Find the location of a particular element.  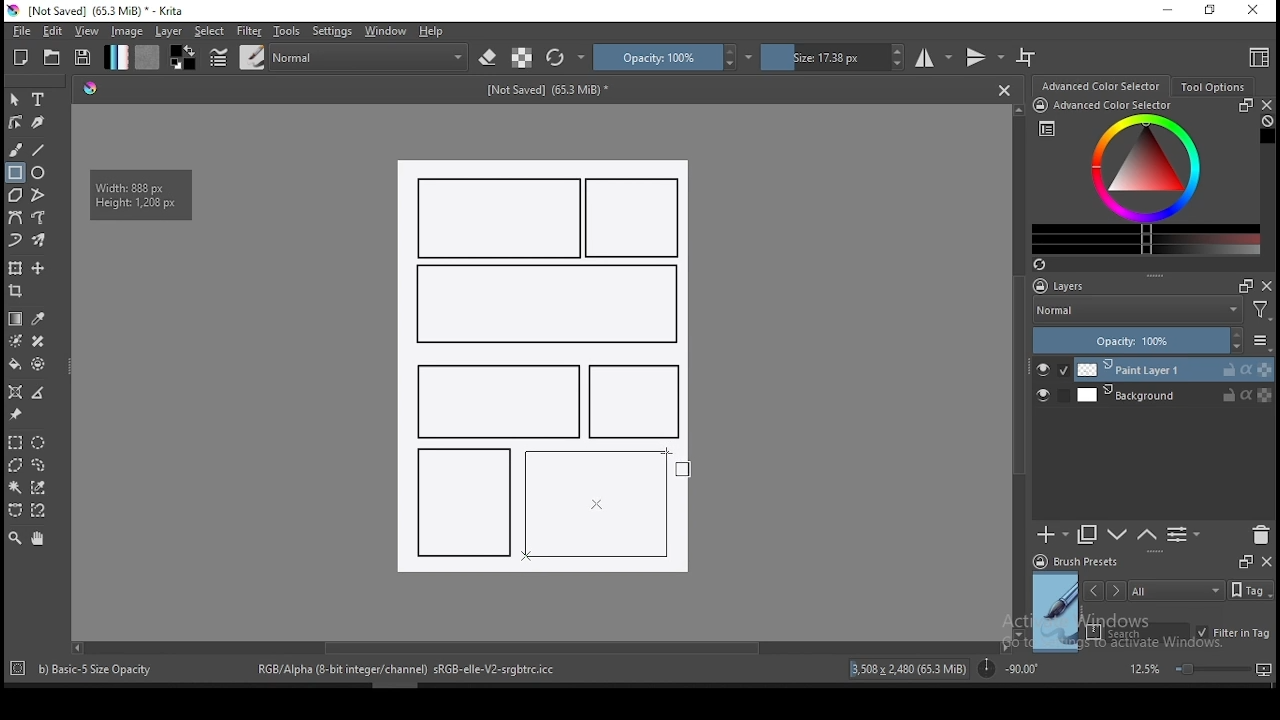

Close is located at coordinates (1004, 89).